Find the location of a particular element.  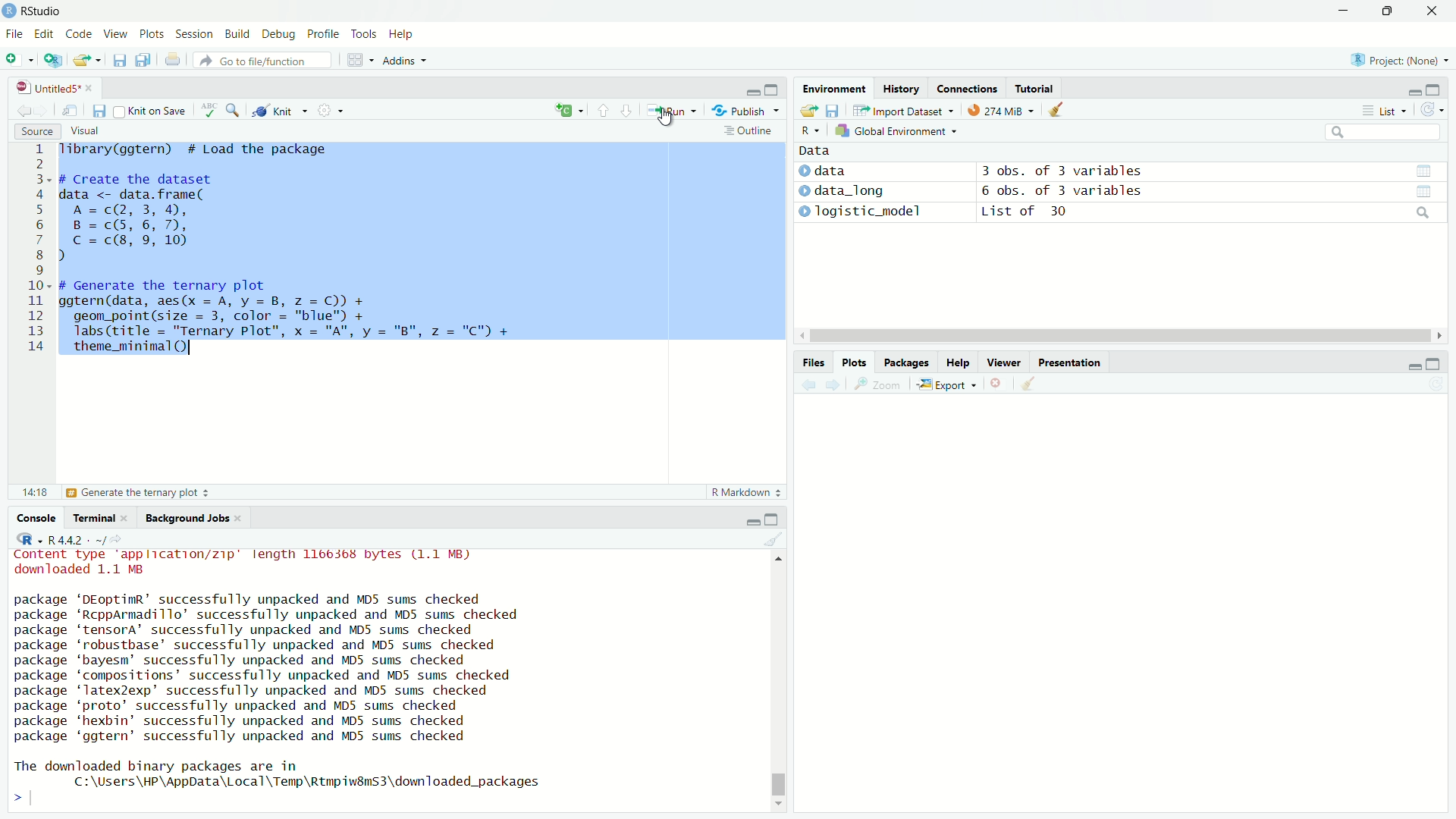

back is located at coordinates (21, 108).